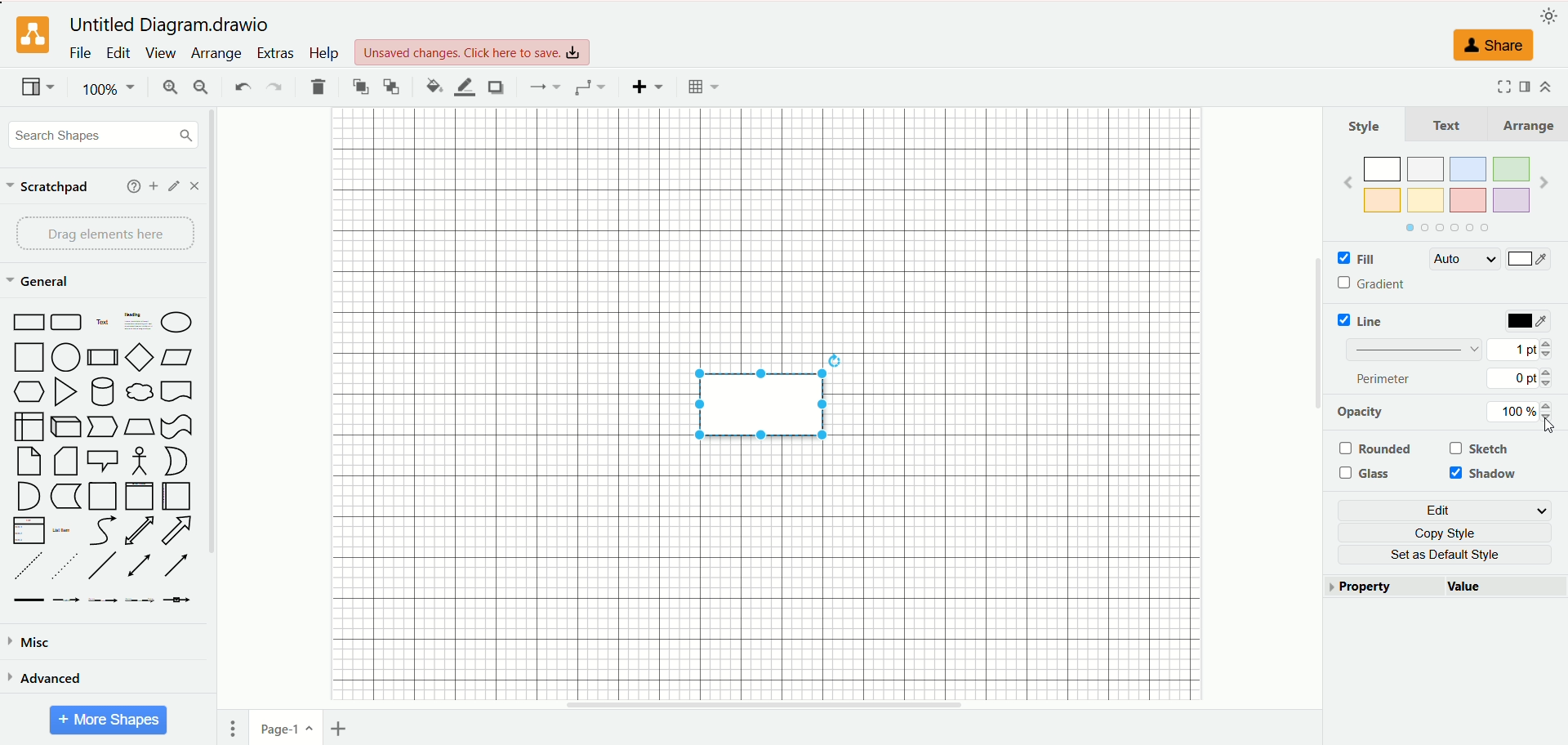 This screenshot has width=1568, height=745. I want to click on fill, so click(1355, 260).